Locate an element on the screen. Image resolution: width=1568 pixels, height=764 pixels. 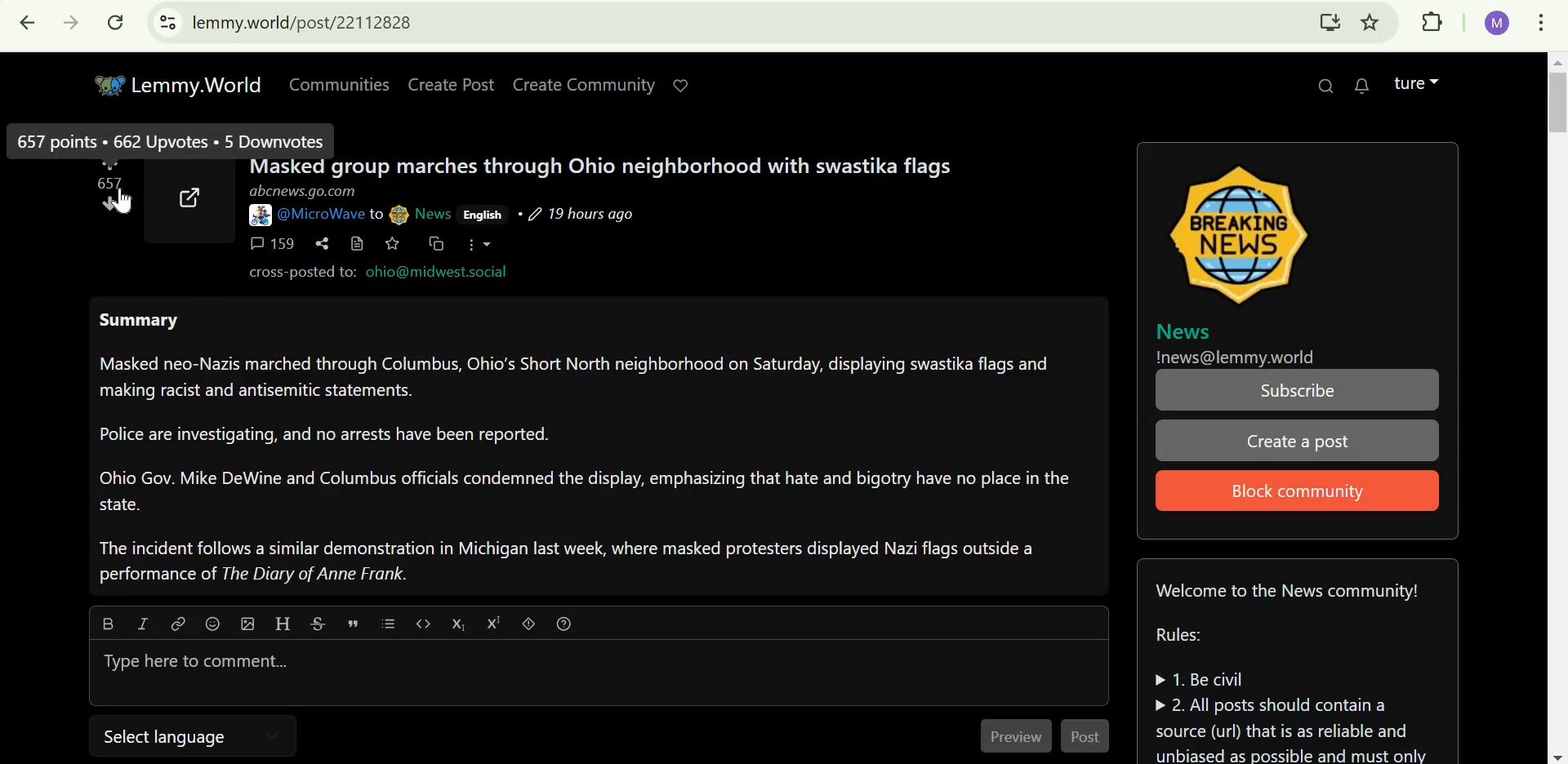
Create Post is located at coordinates (453, 83).